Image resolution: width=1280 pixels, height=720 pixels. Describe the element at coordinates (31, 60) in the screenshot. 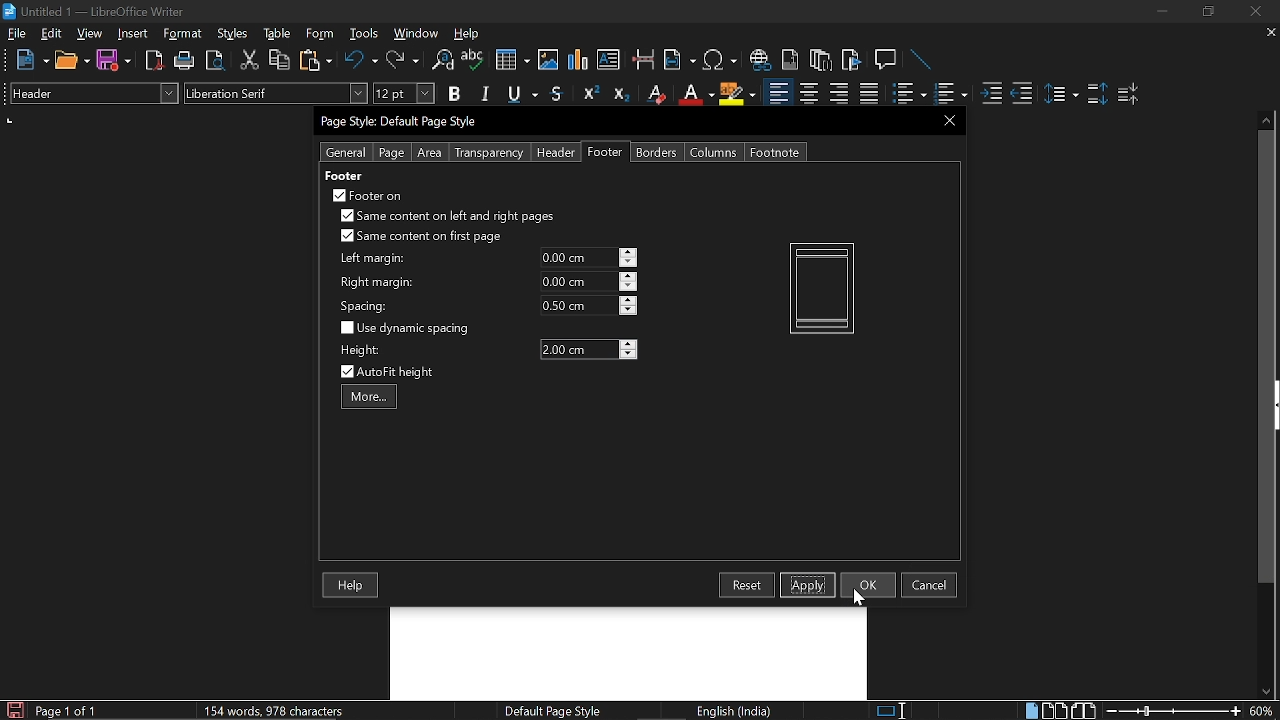

I see `NEw` at that location.